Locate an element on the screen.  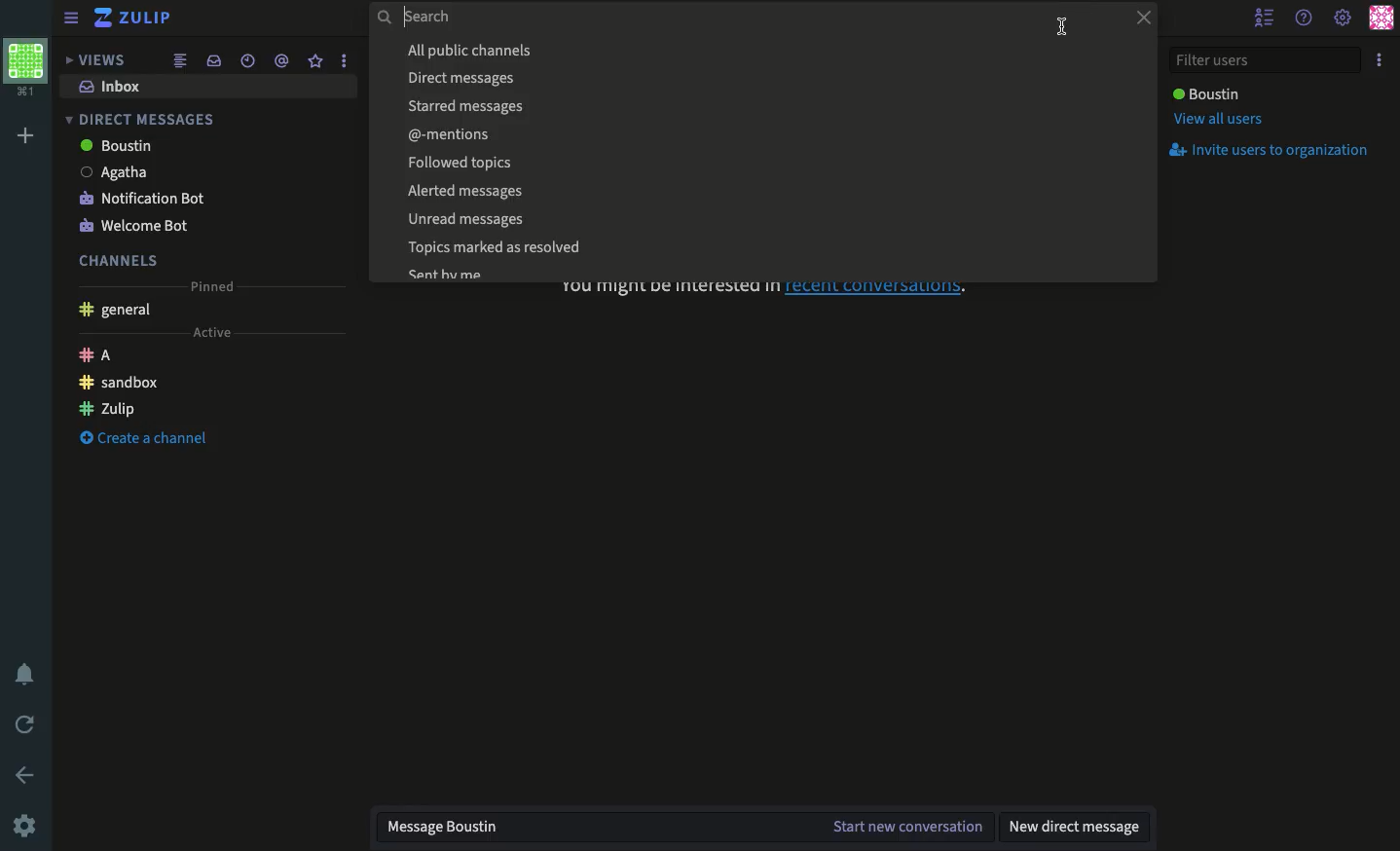
@-mentions is located at coordinates (768, 133).